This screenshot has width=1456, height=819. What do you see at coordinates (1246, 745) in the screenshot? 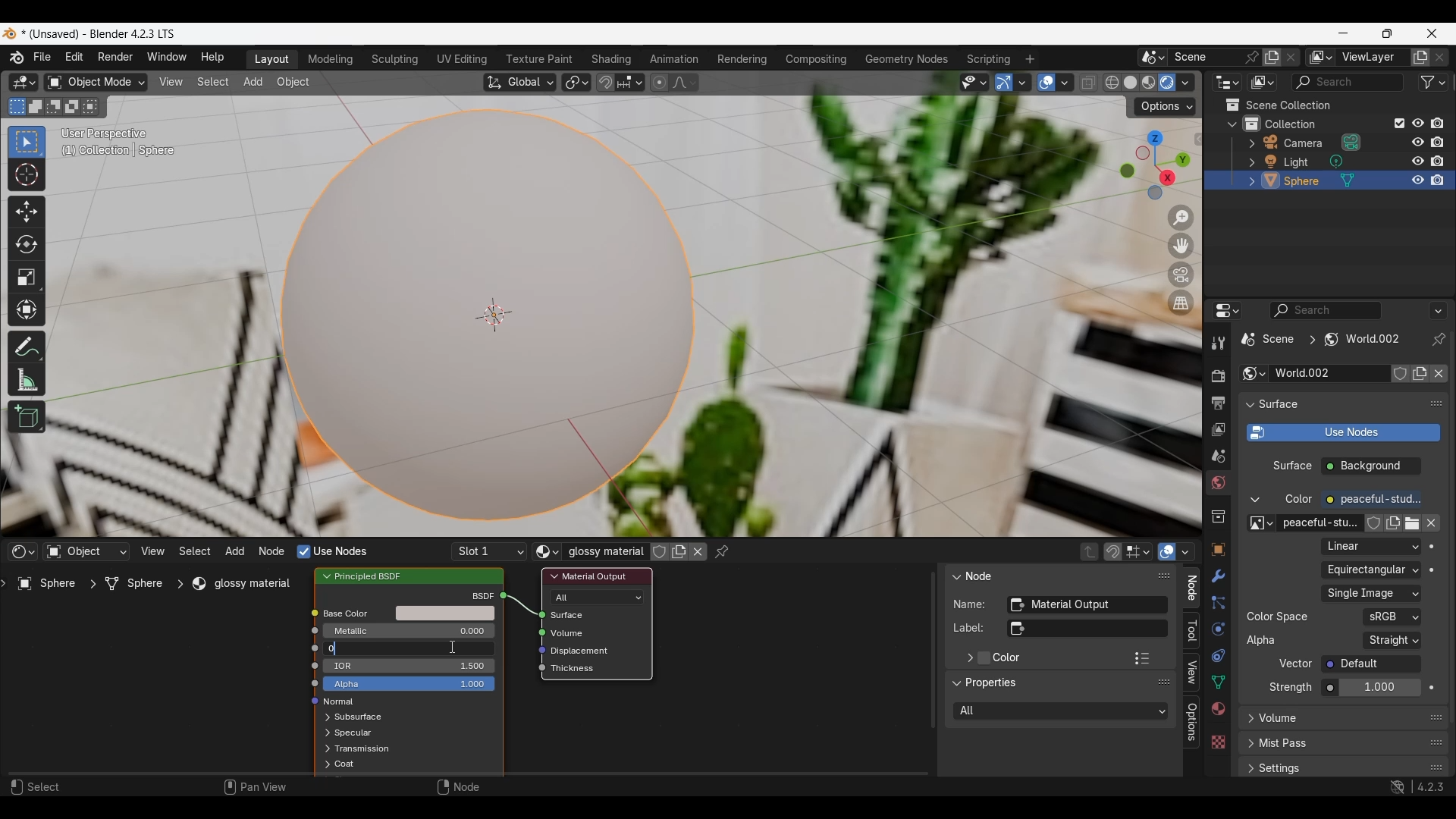
I see `expand respective scenes` at bounding box center [1246, 745].